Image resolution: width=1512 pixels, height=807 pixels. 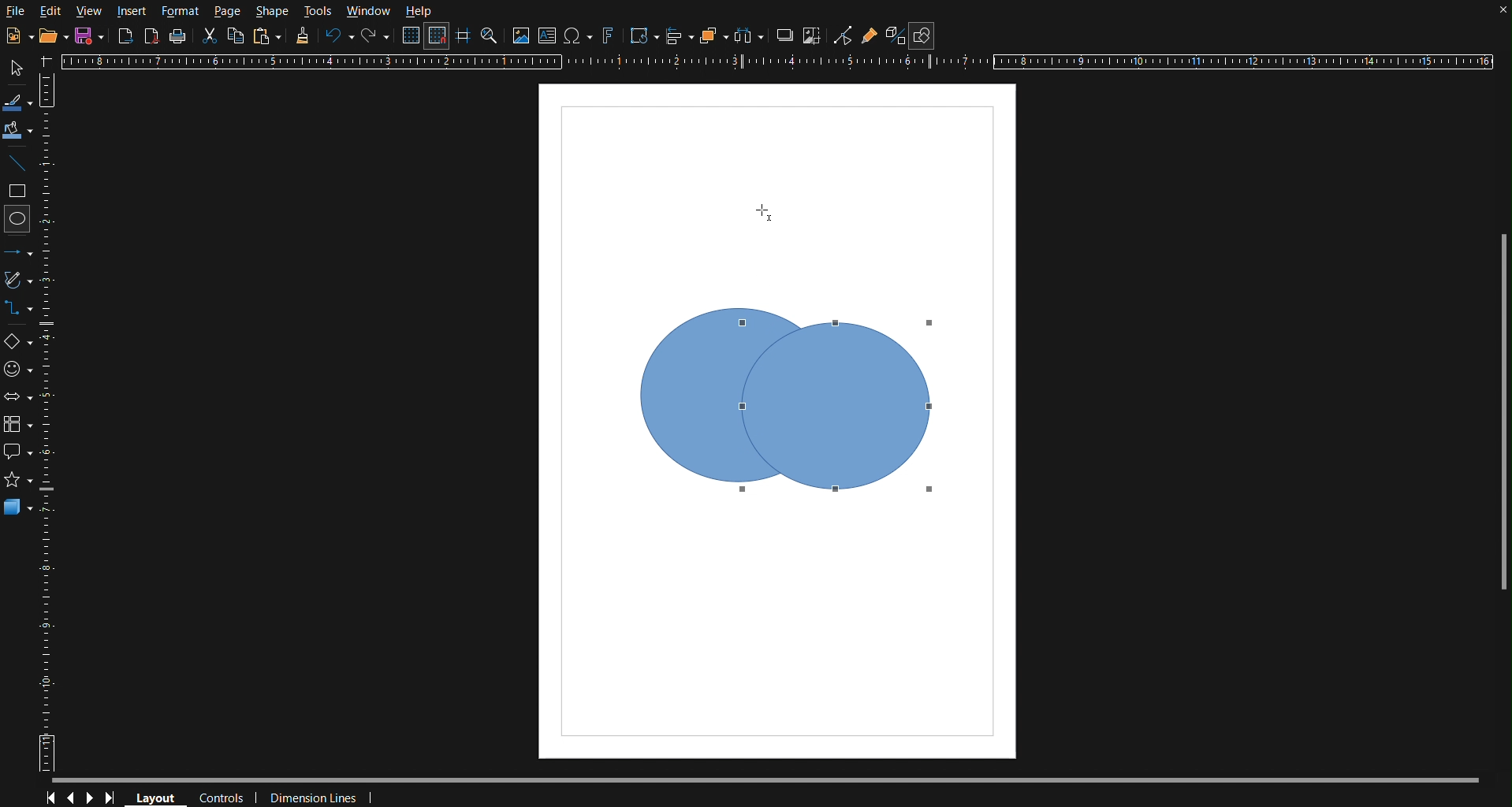 I want to click on Dimension Lines, so click(x=315, y=795).